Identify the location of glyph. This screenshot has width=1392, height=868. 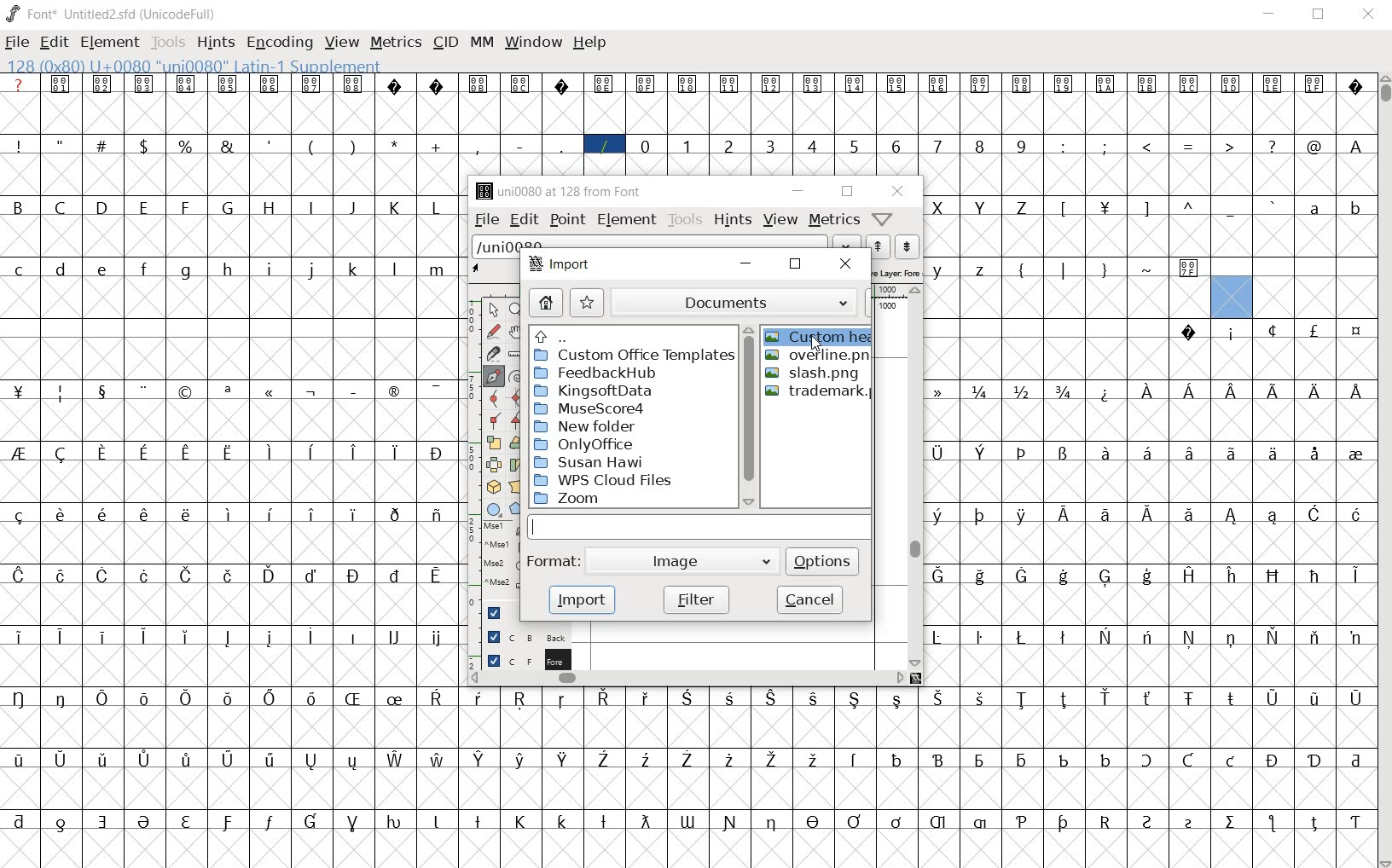
(896, 822).